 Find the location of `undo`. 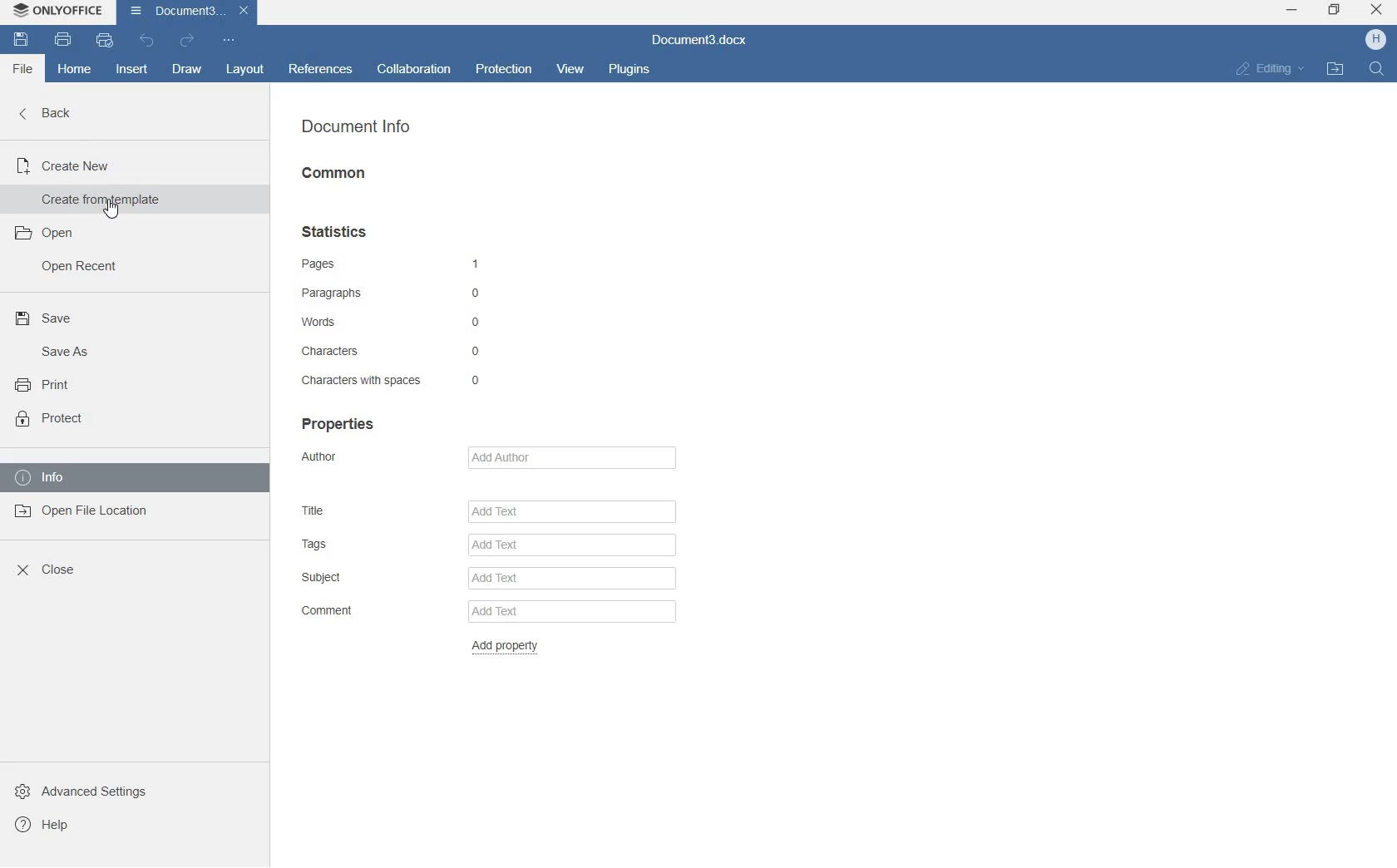

undo is located at coordinates (147, 41).